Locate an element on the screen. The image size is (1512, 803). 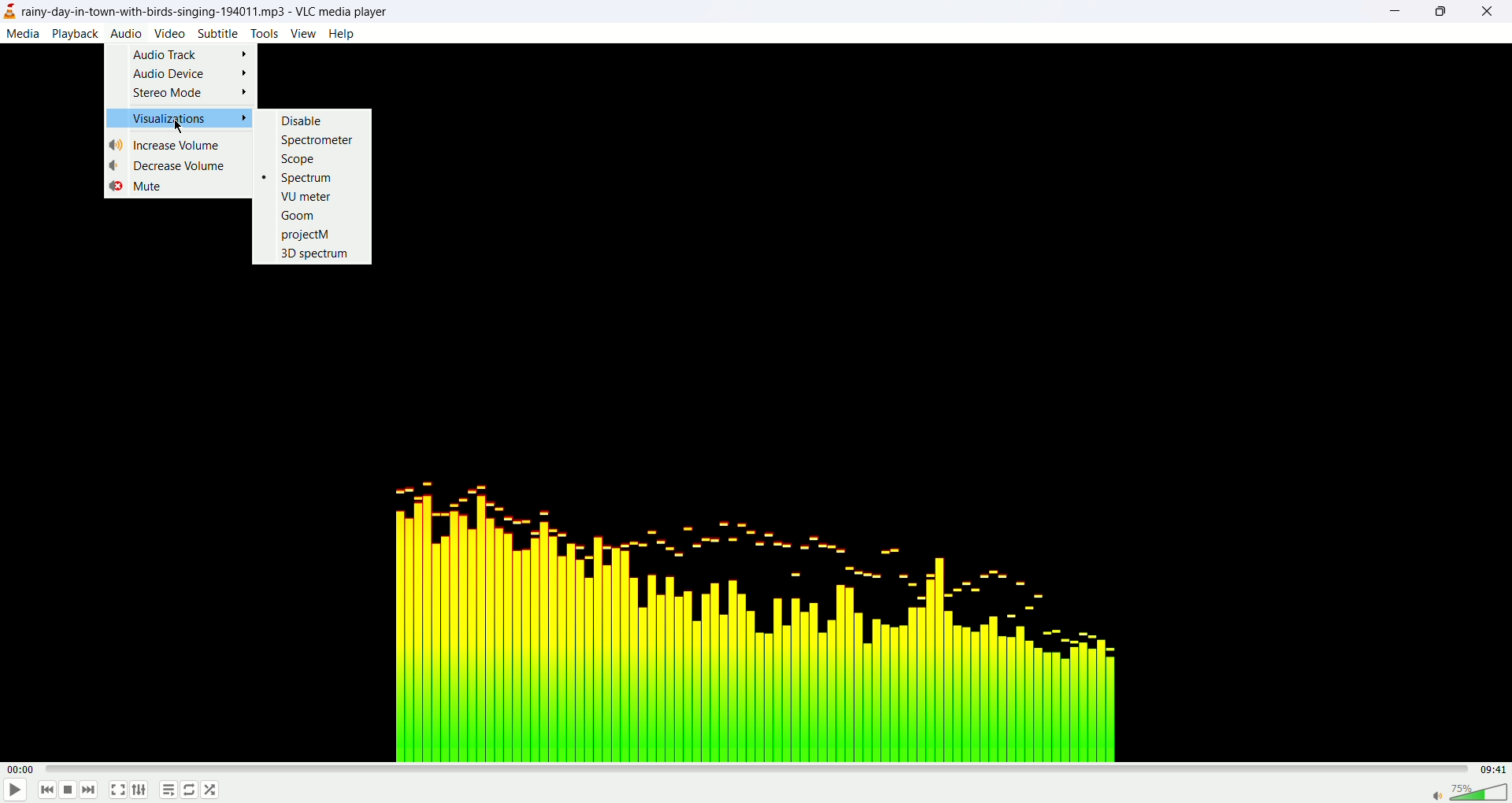
next is located at coordinates (89, 790).